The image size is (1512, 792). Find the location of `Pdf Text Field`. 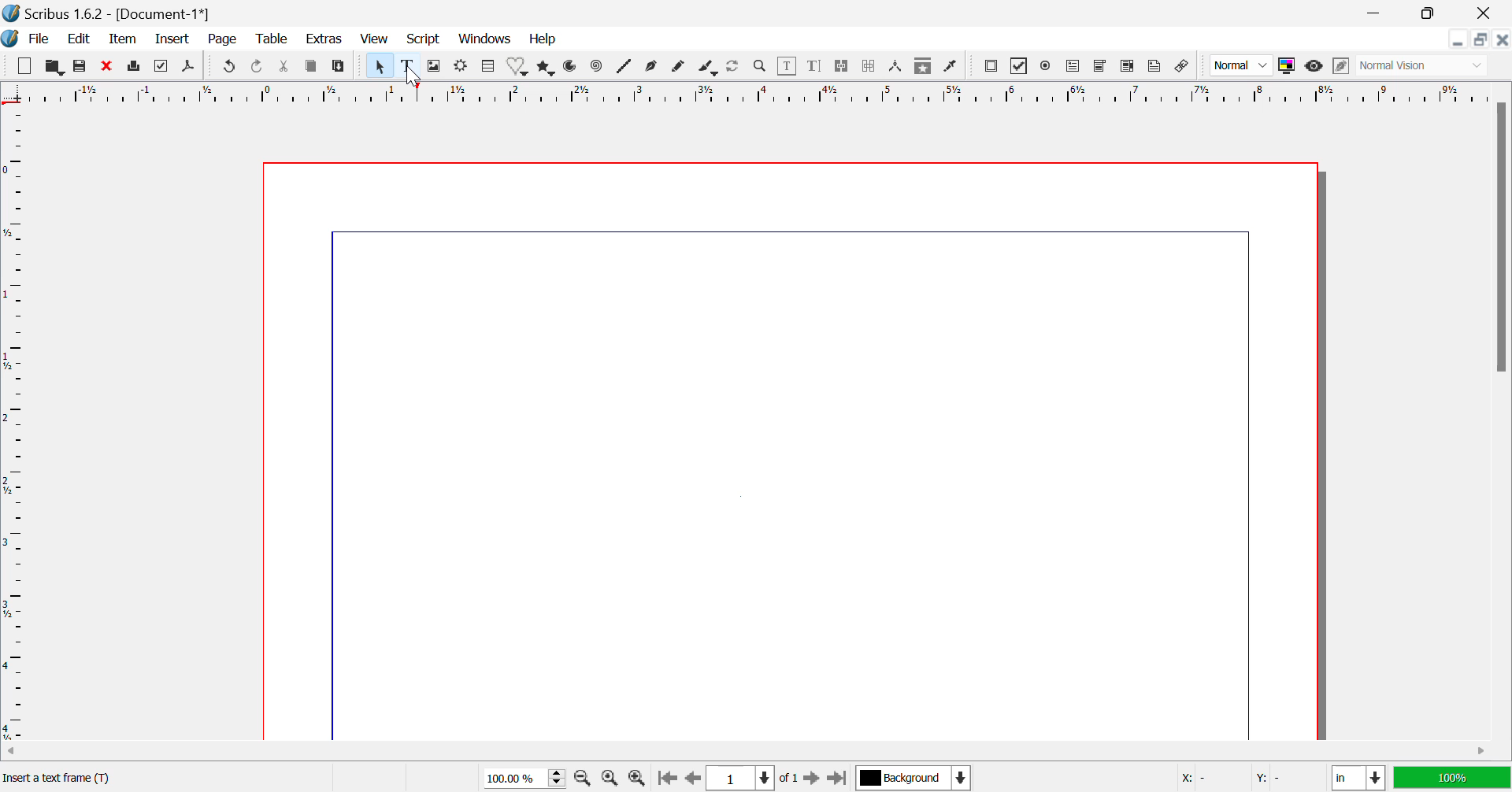

Pdf Text Field is located at coordinates (1074, 68).